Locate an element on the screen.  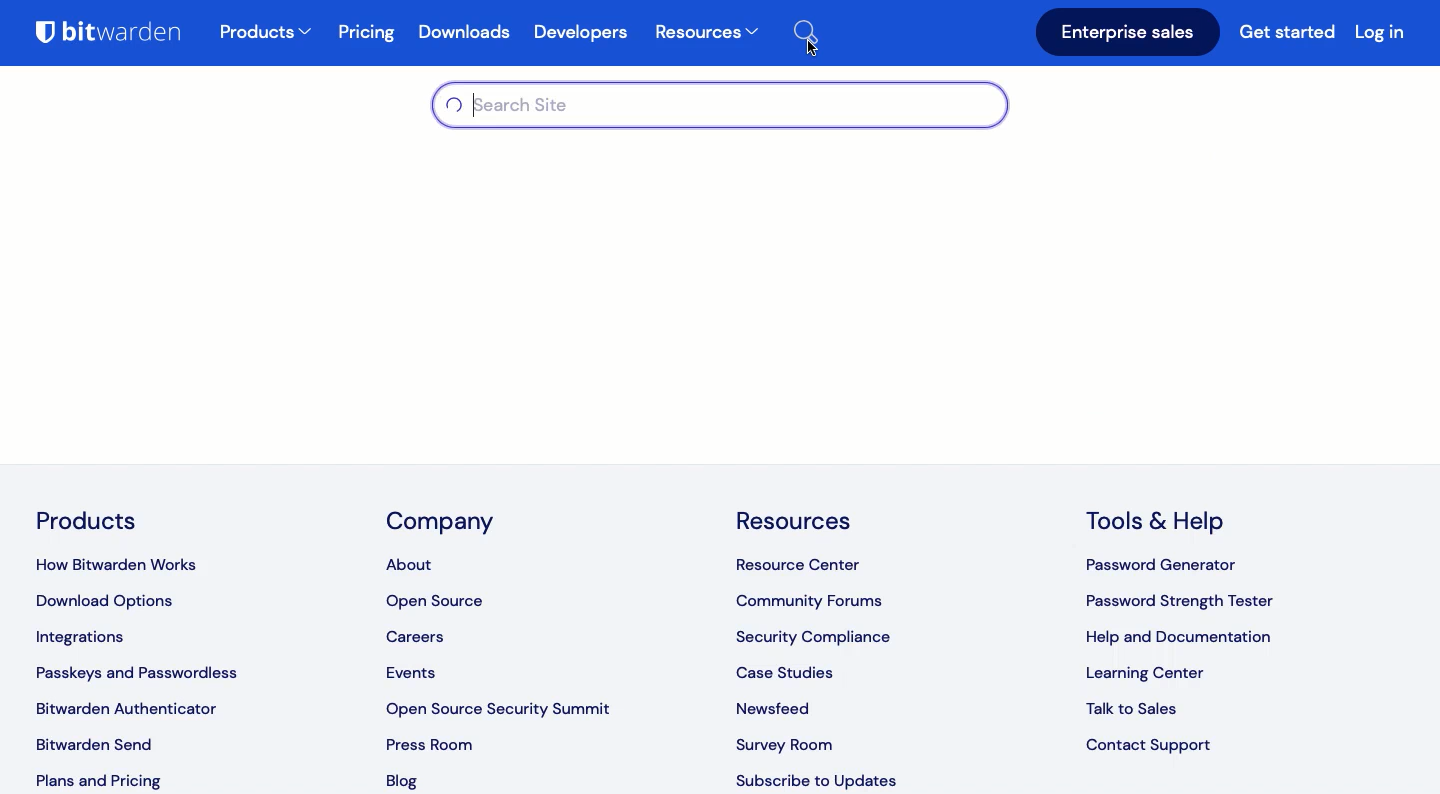
plans and pricing is located at coordinates (96, 779).